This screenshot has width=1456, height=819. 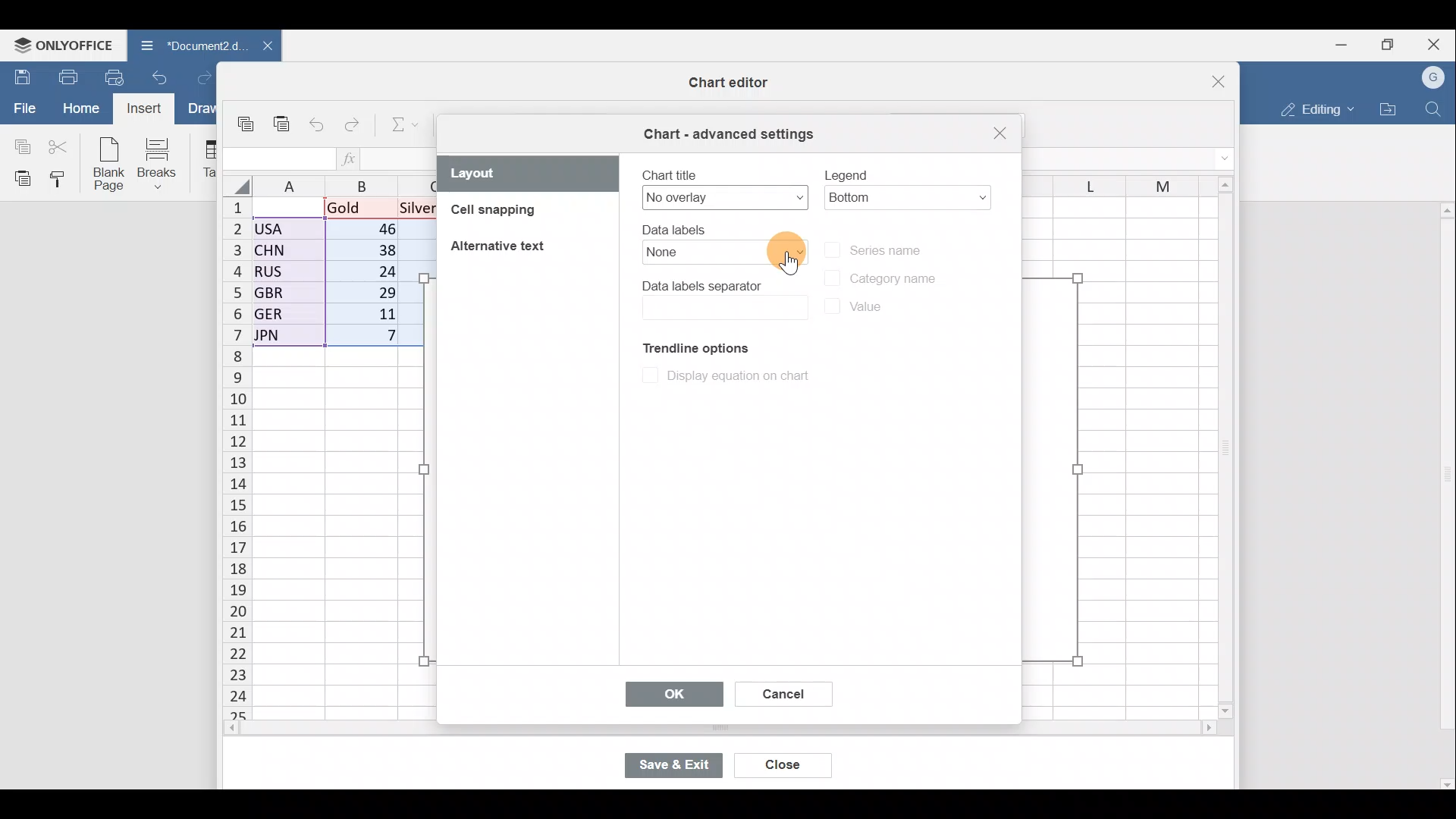 What do you see at coordinates (406, 122) in the screenshot?
I see `Summation` at bounding box center [406, 122].